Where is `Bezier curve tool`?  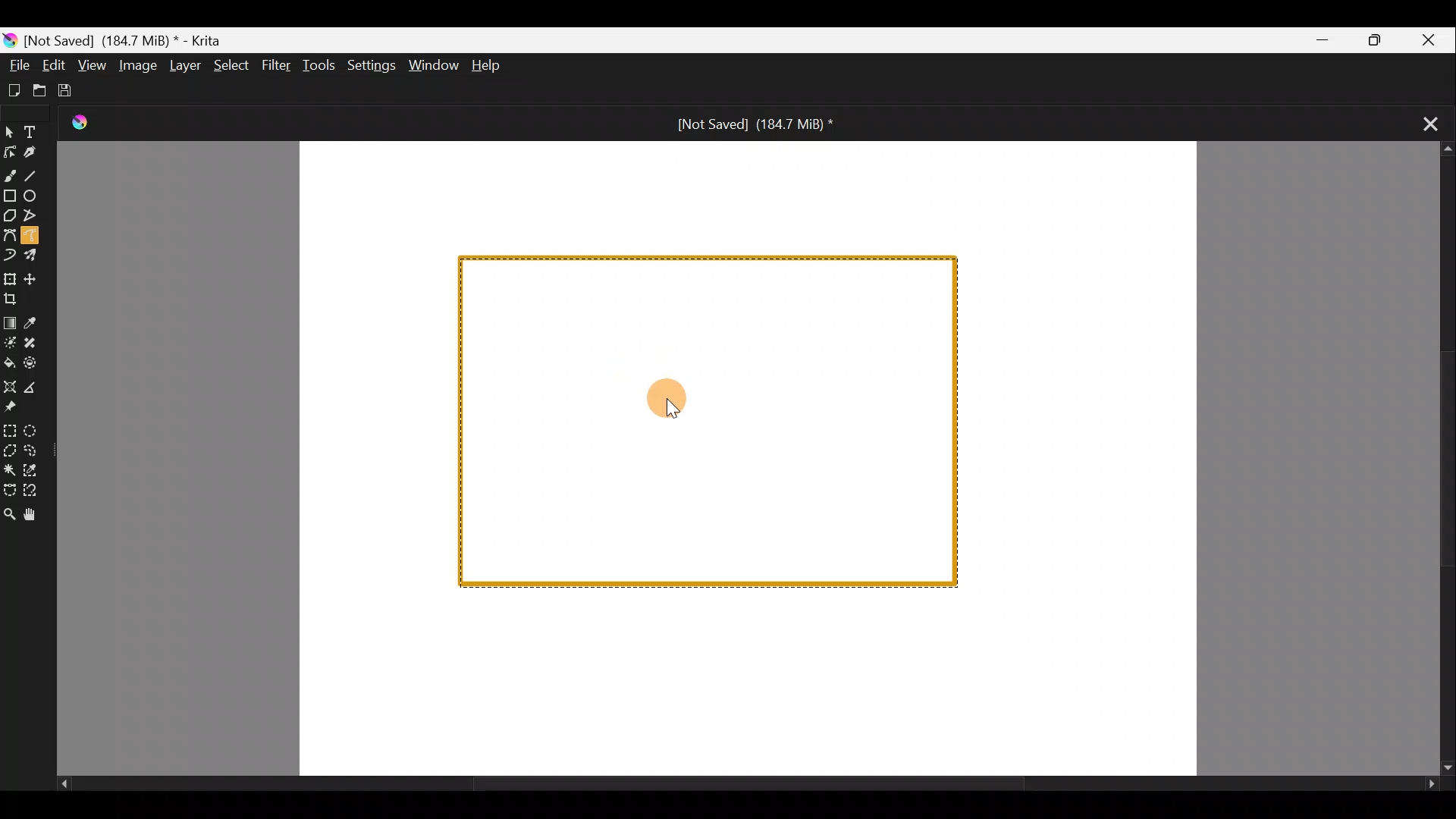 Bezier curve tool is located at coordinates (11, 236).